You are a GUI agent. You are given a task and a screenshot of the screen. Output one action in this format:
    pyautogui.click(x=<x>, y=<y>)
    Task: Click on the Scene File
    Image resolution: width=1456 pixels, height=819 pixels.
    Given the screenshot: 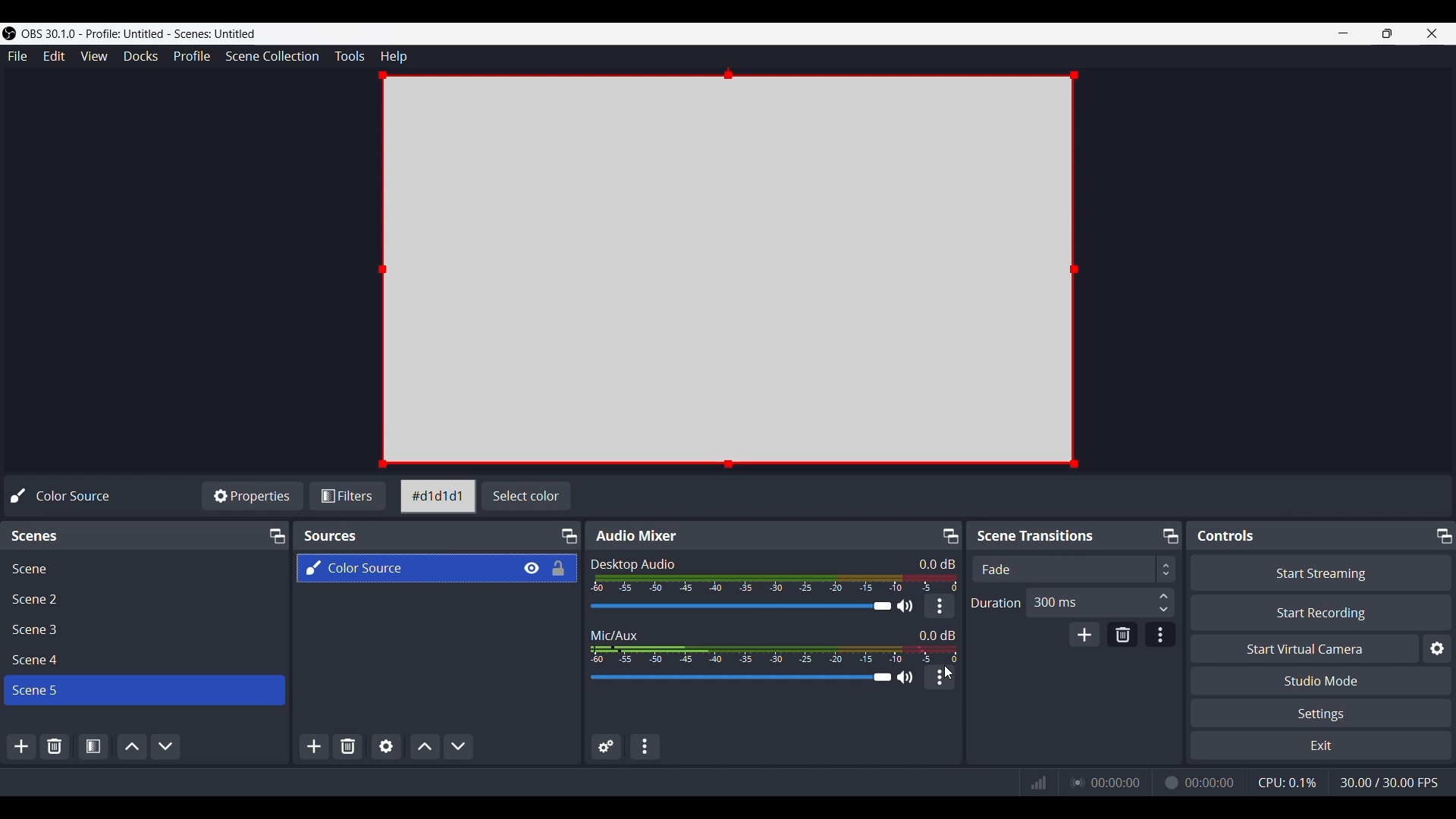 What is the action you would take?
    pyautogui.click(x=141, y=660)
    